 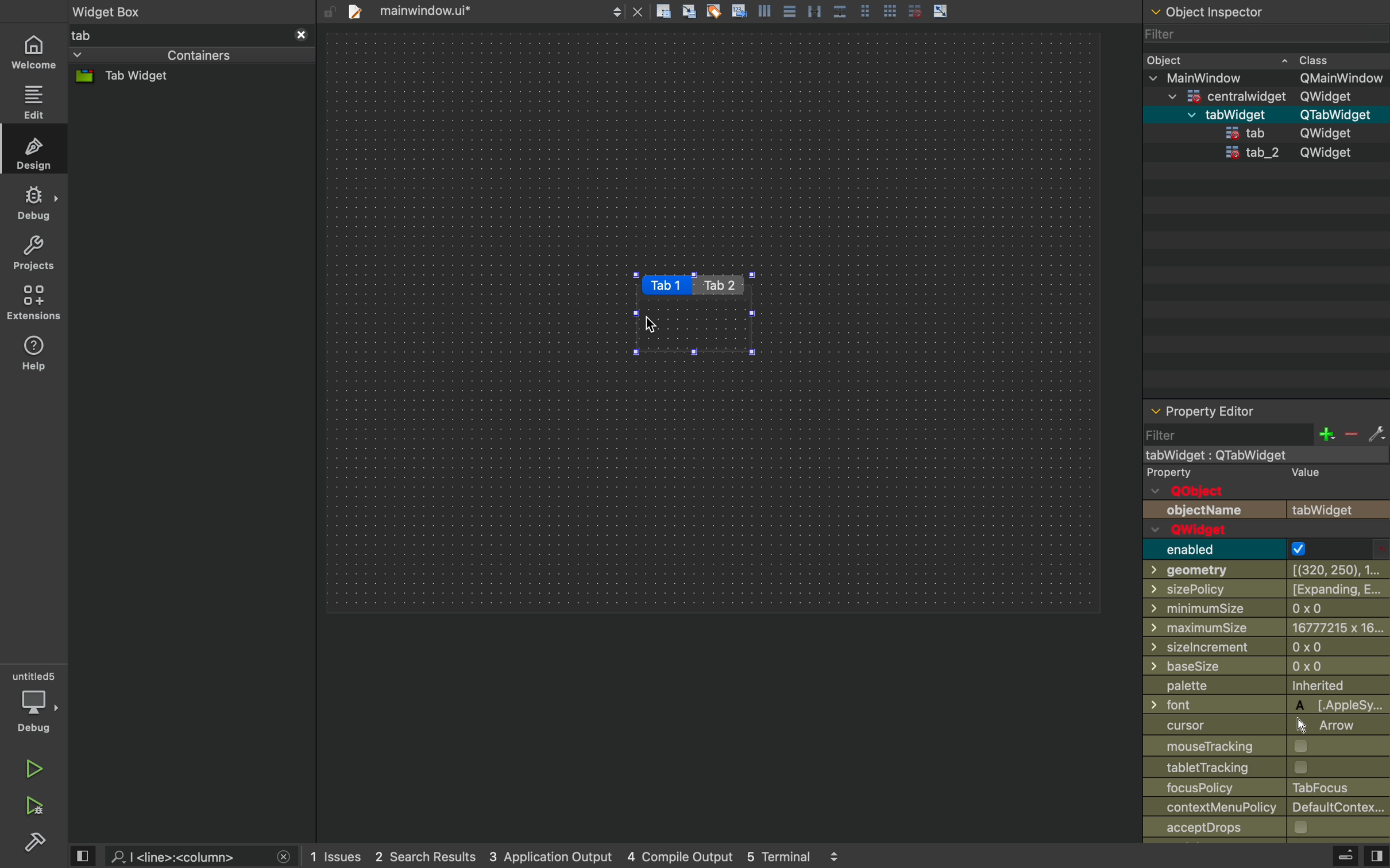 I want to click on , so click(x=1264, y=649).